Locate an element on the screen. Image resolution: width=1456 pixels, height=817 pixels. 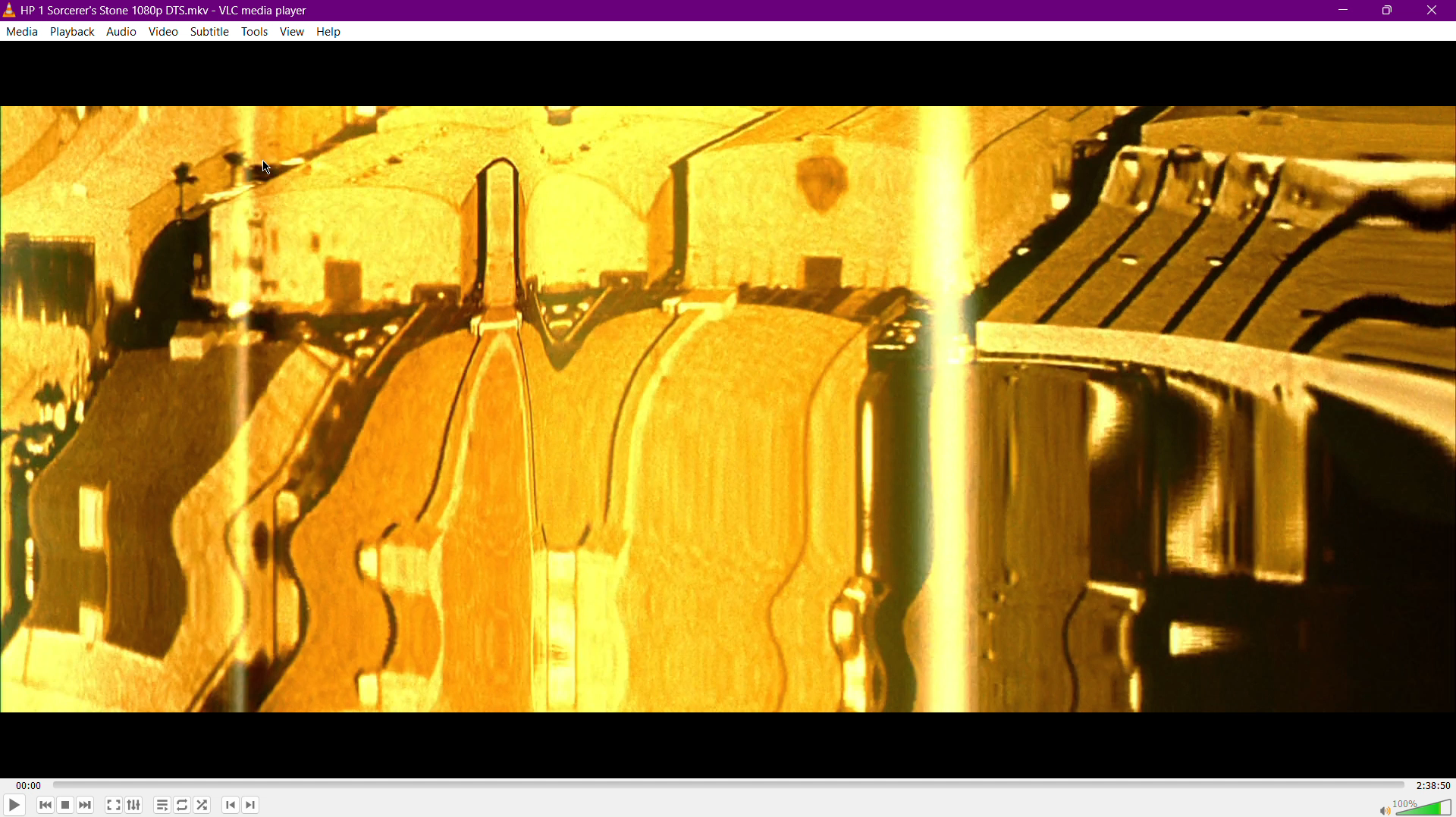
Random is located at coordinates (204, 806).